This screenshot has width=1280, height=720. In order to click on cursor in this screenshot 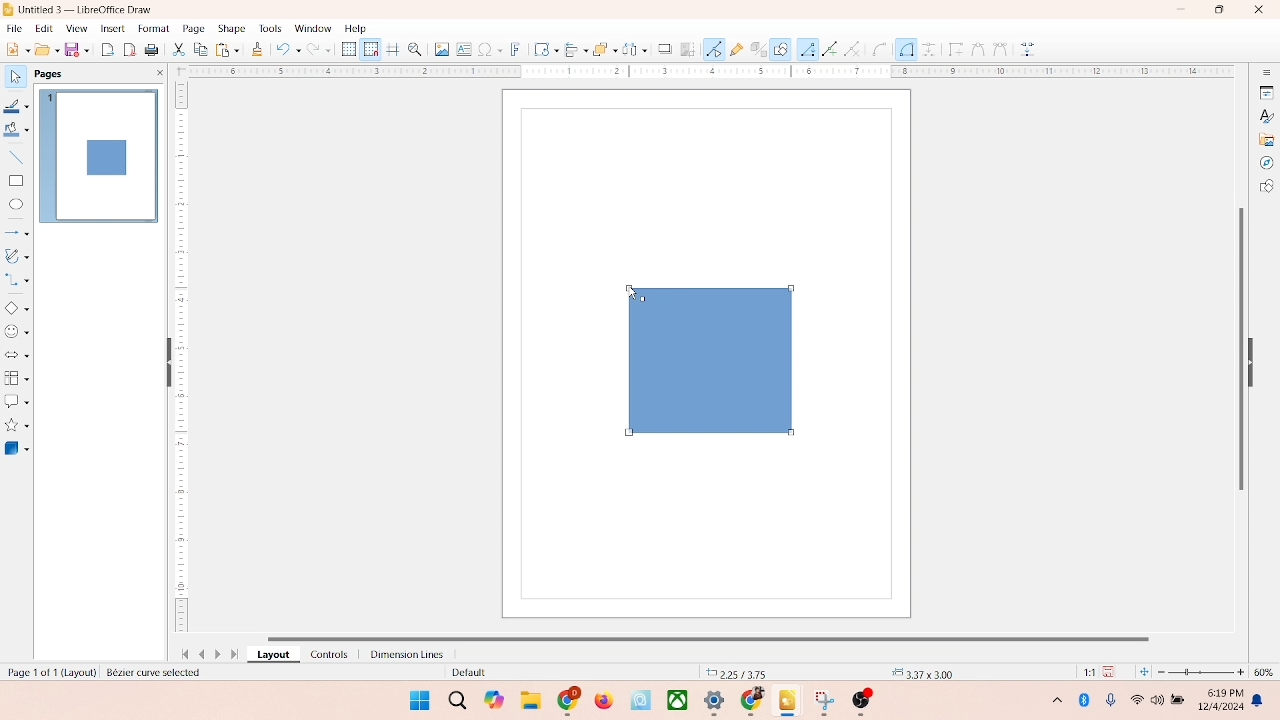, I will do `click(628, 290)`.